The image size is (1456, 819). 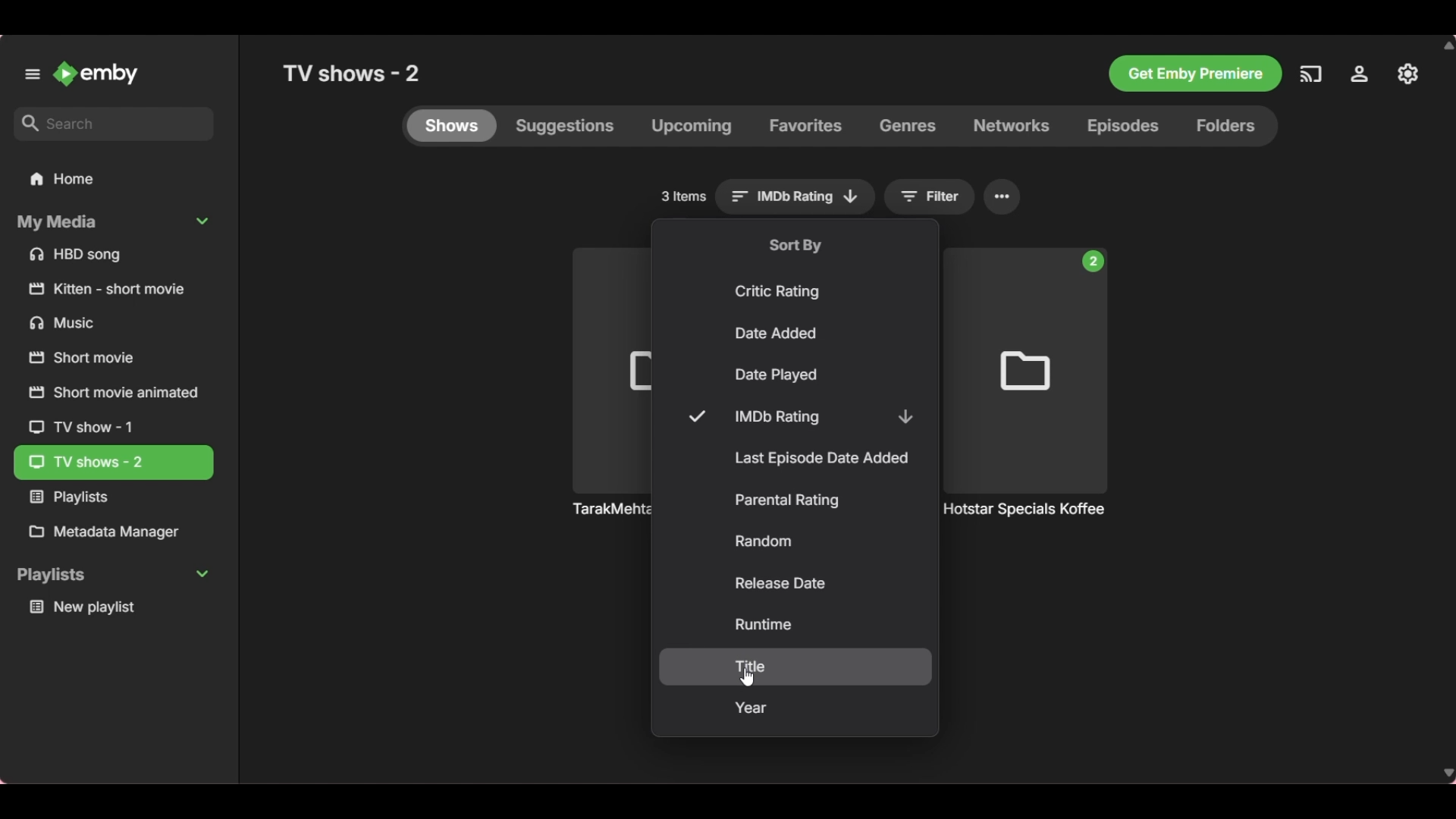 What do you see at coordinates (111, 608) in the screenshot?
I see `Media under Playlists` at bounding box center [111, 608].